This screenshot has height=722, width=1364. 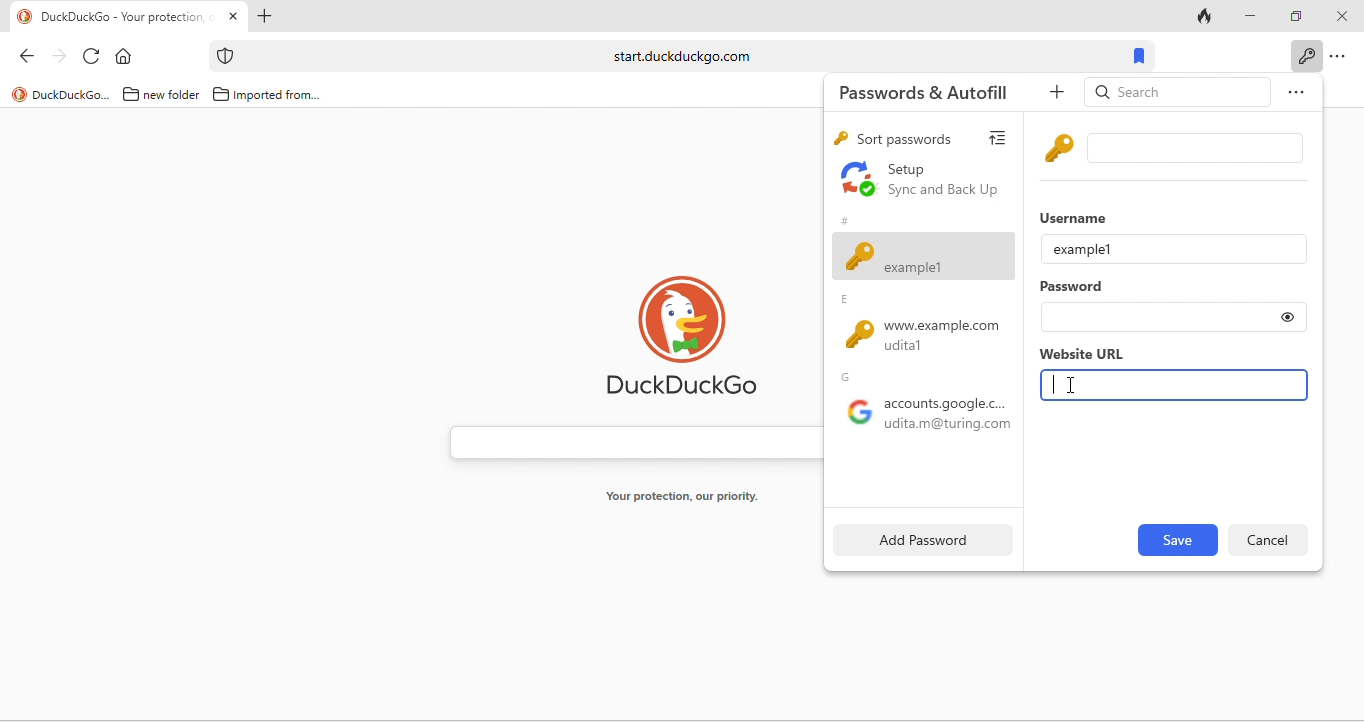 What do you see at coordinates (683, 497) in the screenshot?
I see `your protection, our priority.` at bounding box center [683, 497].